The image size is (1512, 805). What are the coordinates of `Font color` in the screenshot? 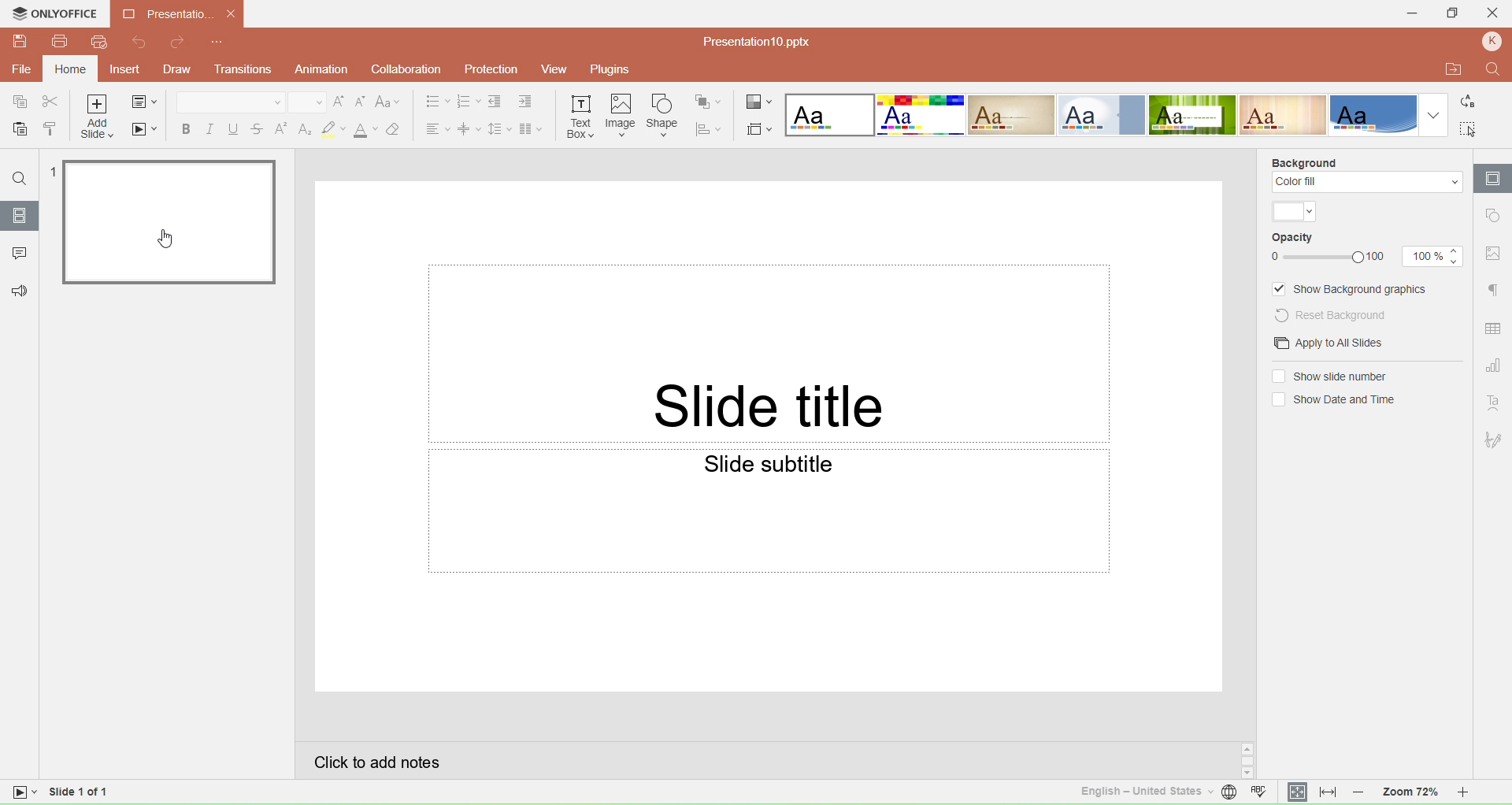 It's located at (365, 130).